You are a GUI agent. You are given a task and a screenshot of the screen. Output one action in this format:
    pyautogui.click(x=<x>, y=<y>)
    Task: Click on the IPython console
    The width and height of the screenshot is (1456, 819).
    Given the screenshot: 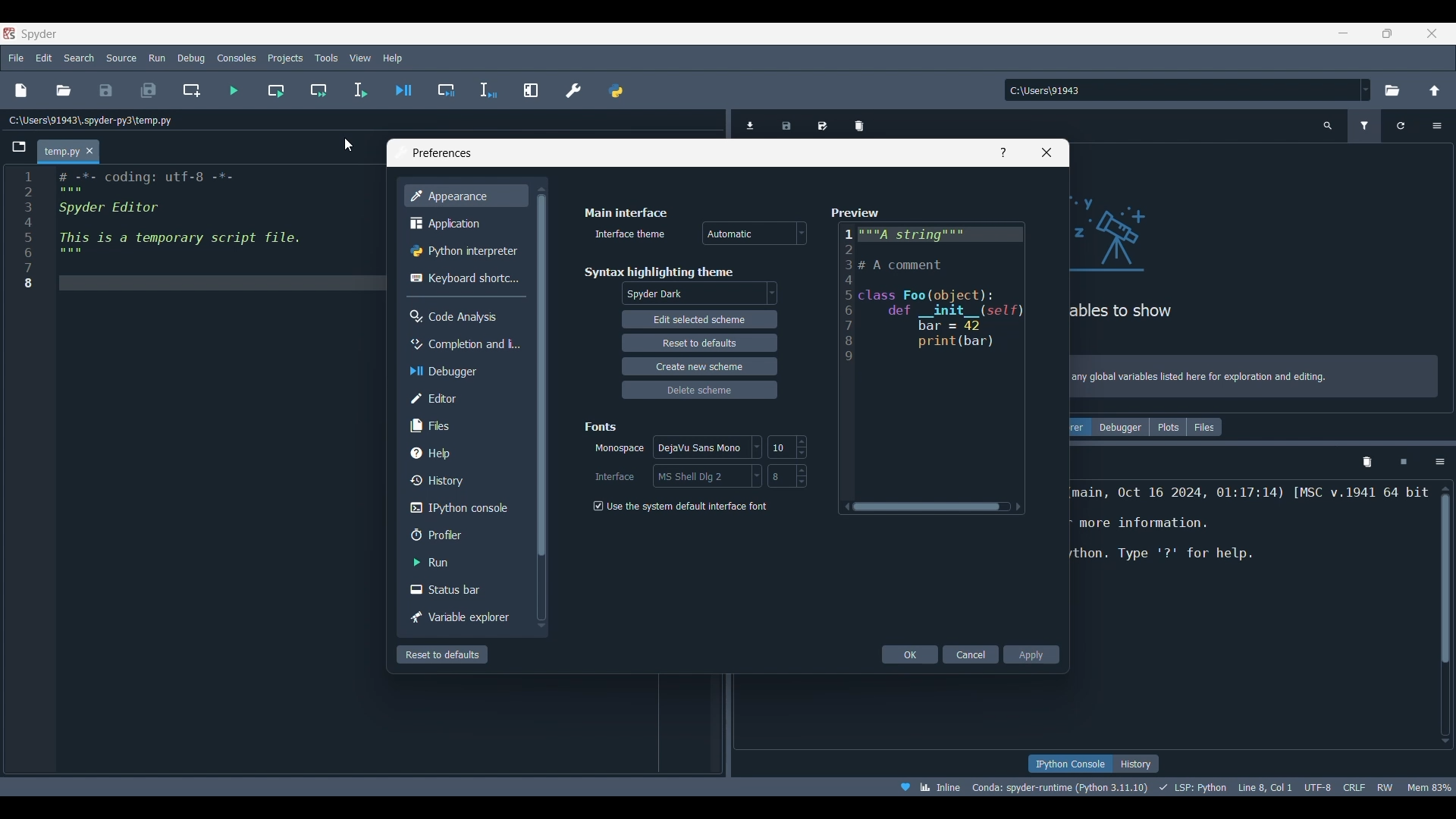 What is the action you would take?
    pyautogui.click(x=457, y=507)
    